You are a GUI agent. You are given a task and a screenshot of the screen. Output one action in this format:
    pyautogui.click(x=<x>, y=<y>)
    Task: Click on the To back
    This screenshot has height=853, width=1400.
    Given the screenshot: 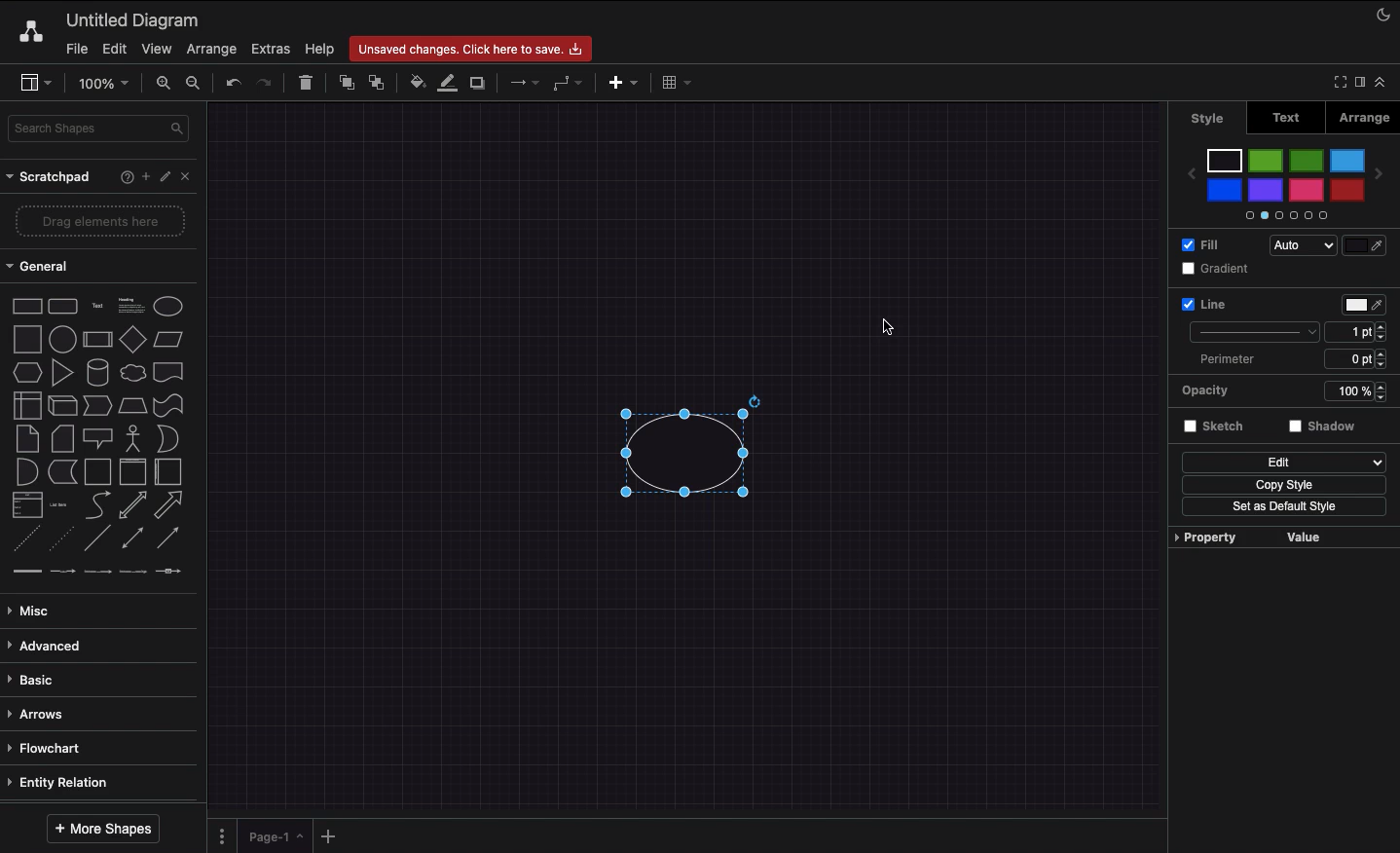 What is the action you would take?
    pyautogui.click(x=380, y=82)
    